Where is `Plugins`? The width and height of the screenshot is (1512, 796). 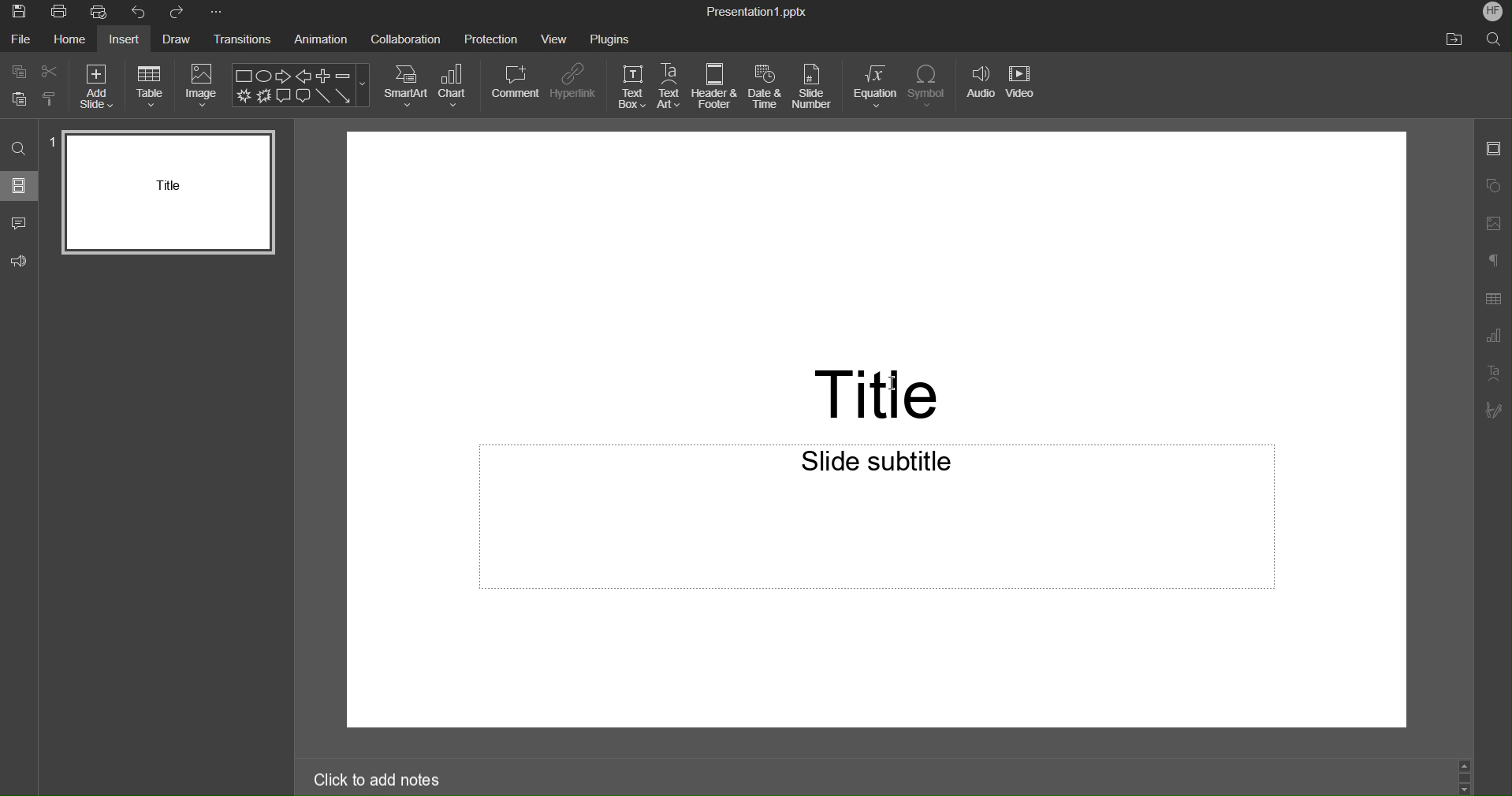 Plugins is located at coordinates (609, 39).